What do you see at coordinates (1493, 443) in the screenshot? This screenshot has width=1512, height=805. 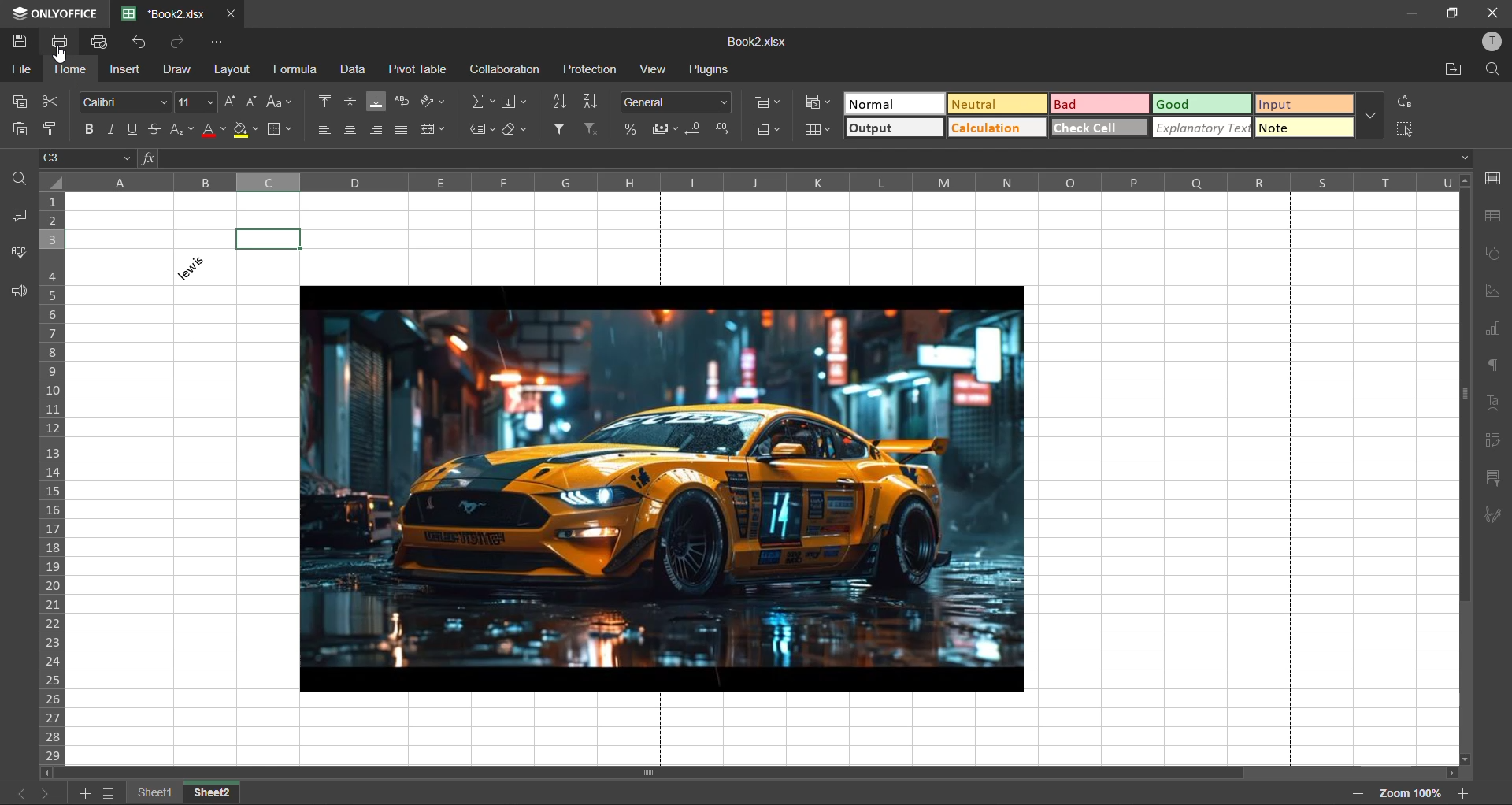 I see `pivot table` at bounding box center [1493, 443].